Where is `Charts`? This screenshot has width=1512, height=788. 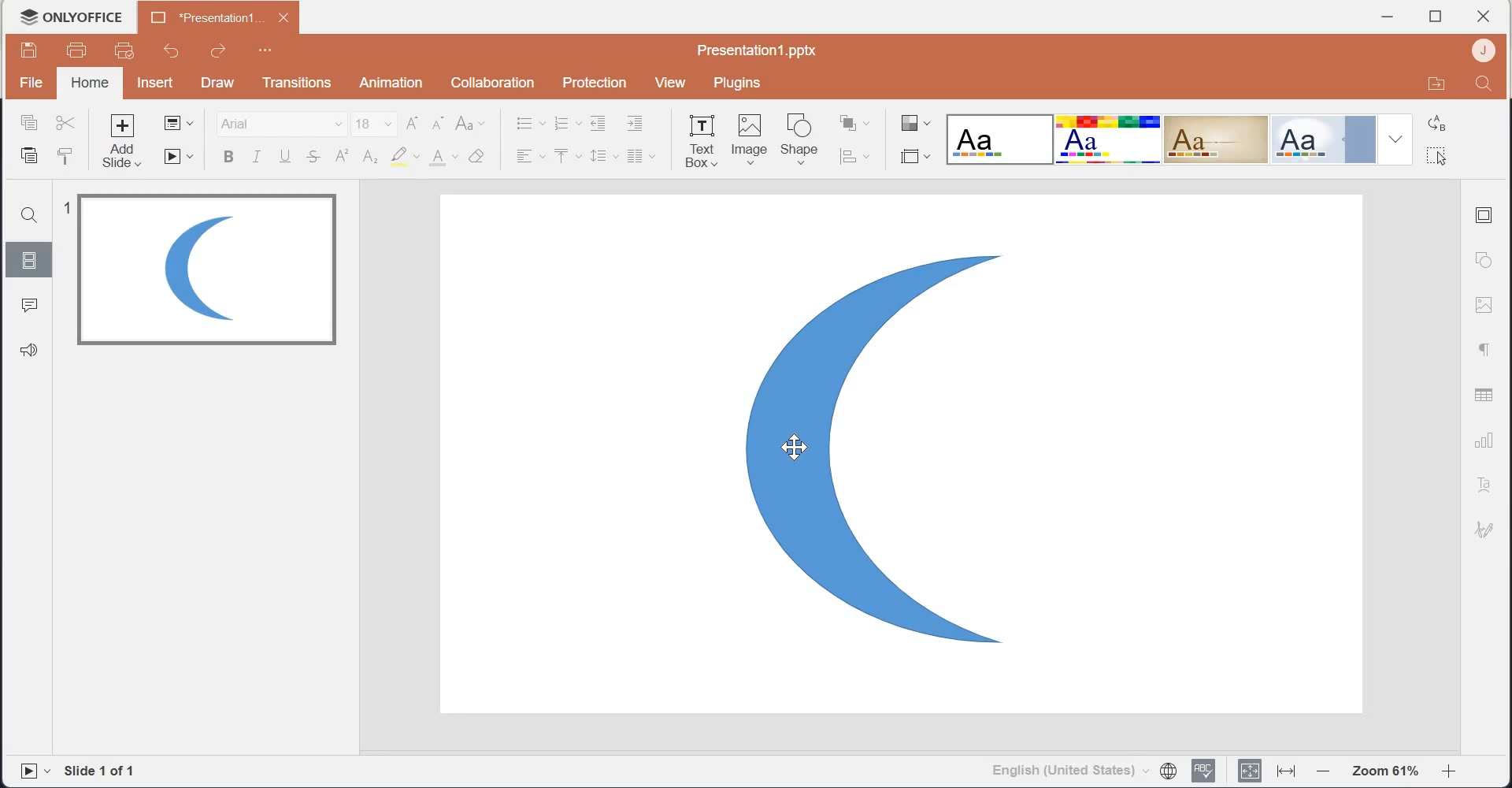
Charts is located at coordinates (1485, 438).